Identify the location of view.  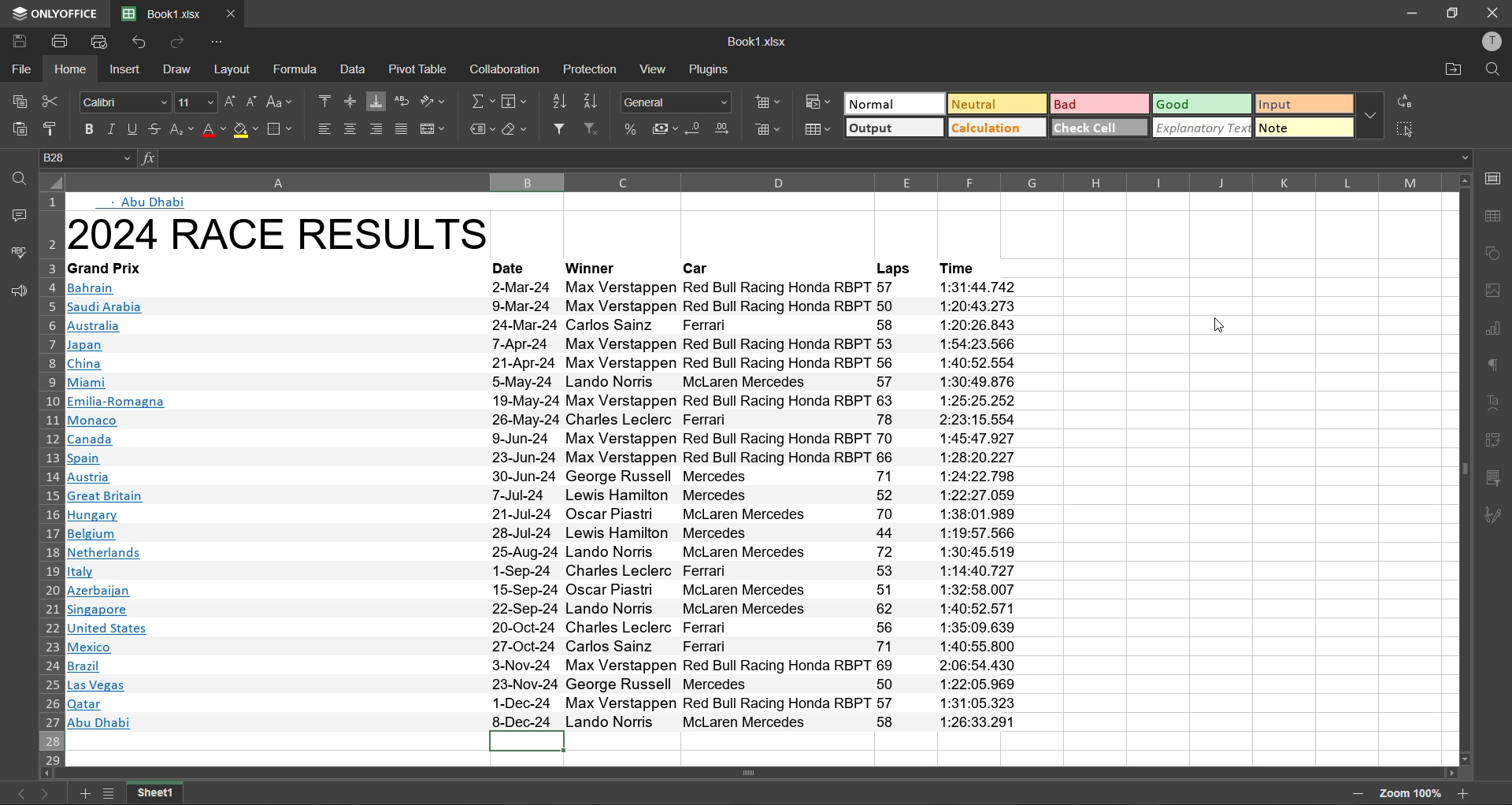
(653, 68).